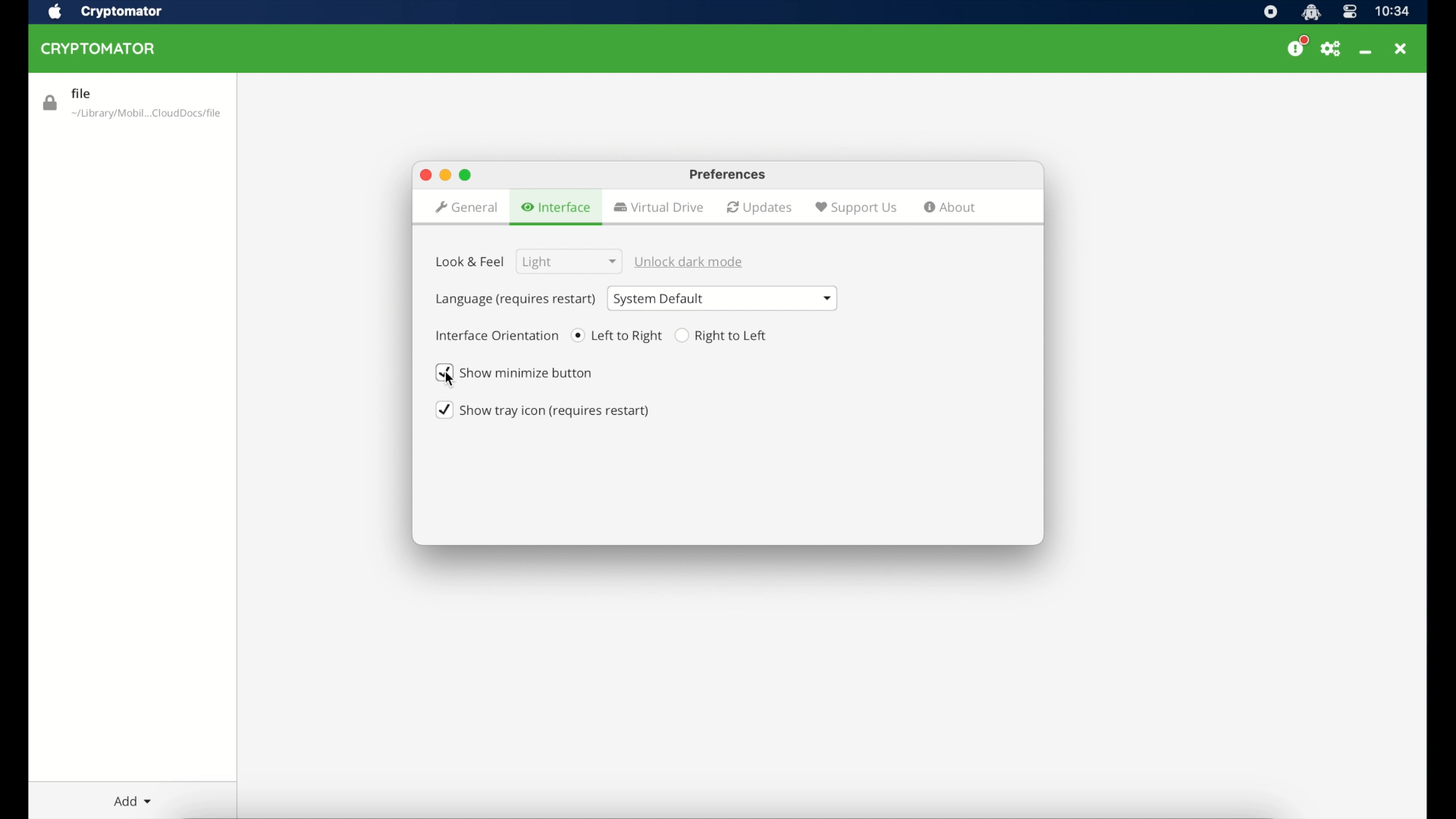  Describe the element at coordinates (466, 209) in the screenshot. I see `general` at that location.